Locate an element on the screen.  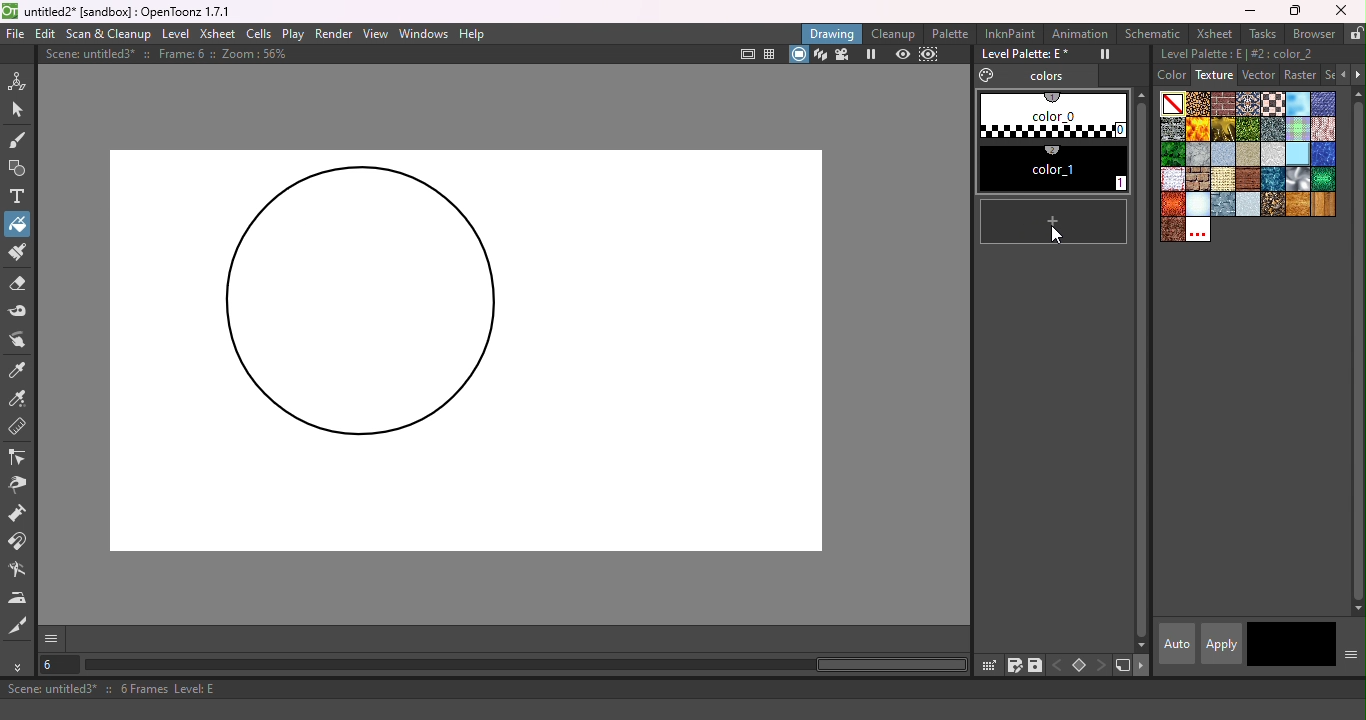
Arabesque.bmp is located at coordinates (1198, 103).